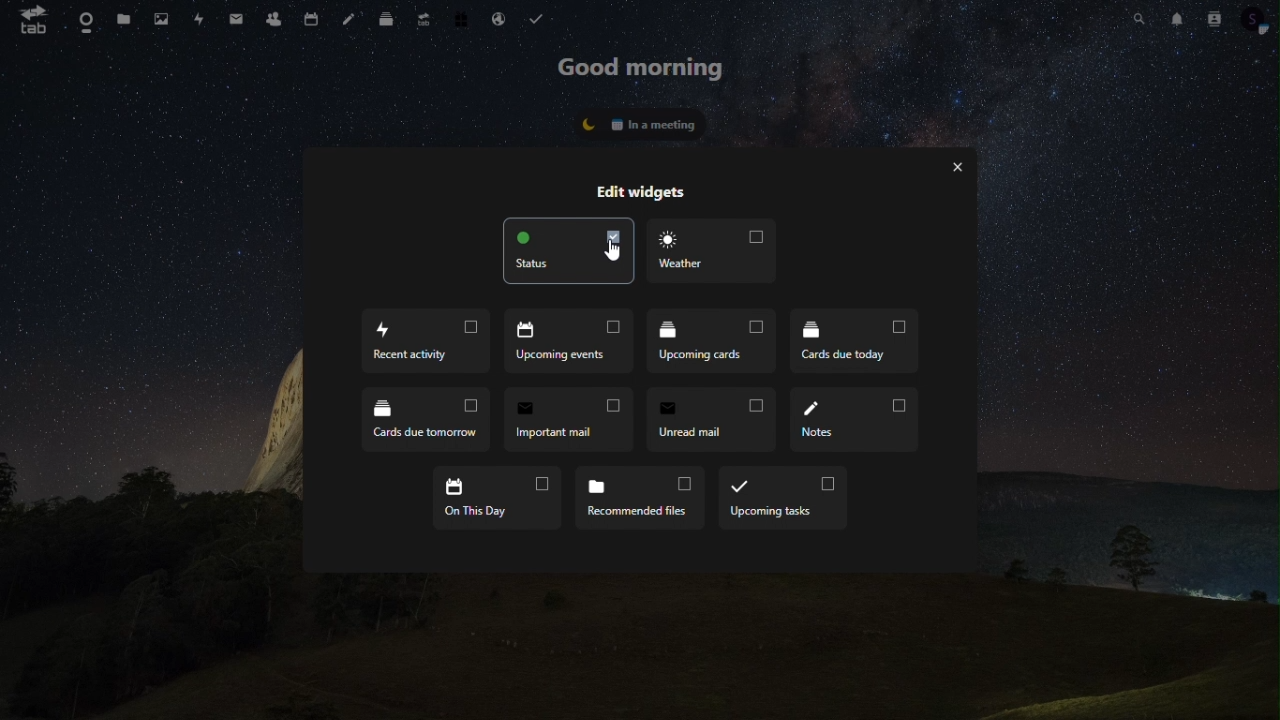 The width and height of the screenshot is (1280, 720). What do you see at coordinates (1214, 19) in the screenshot?
I see `contacts` at bounding box center [1214, 19].